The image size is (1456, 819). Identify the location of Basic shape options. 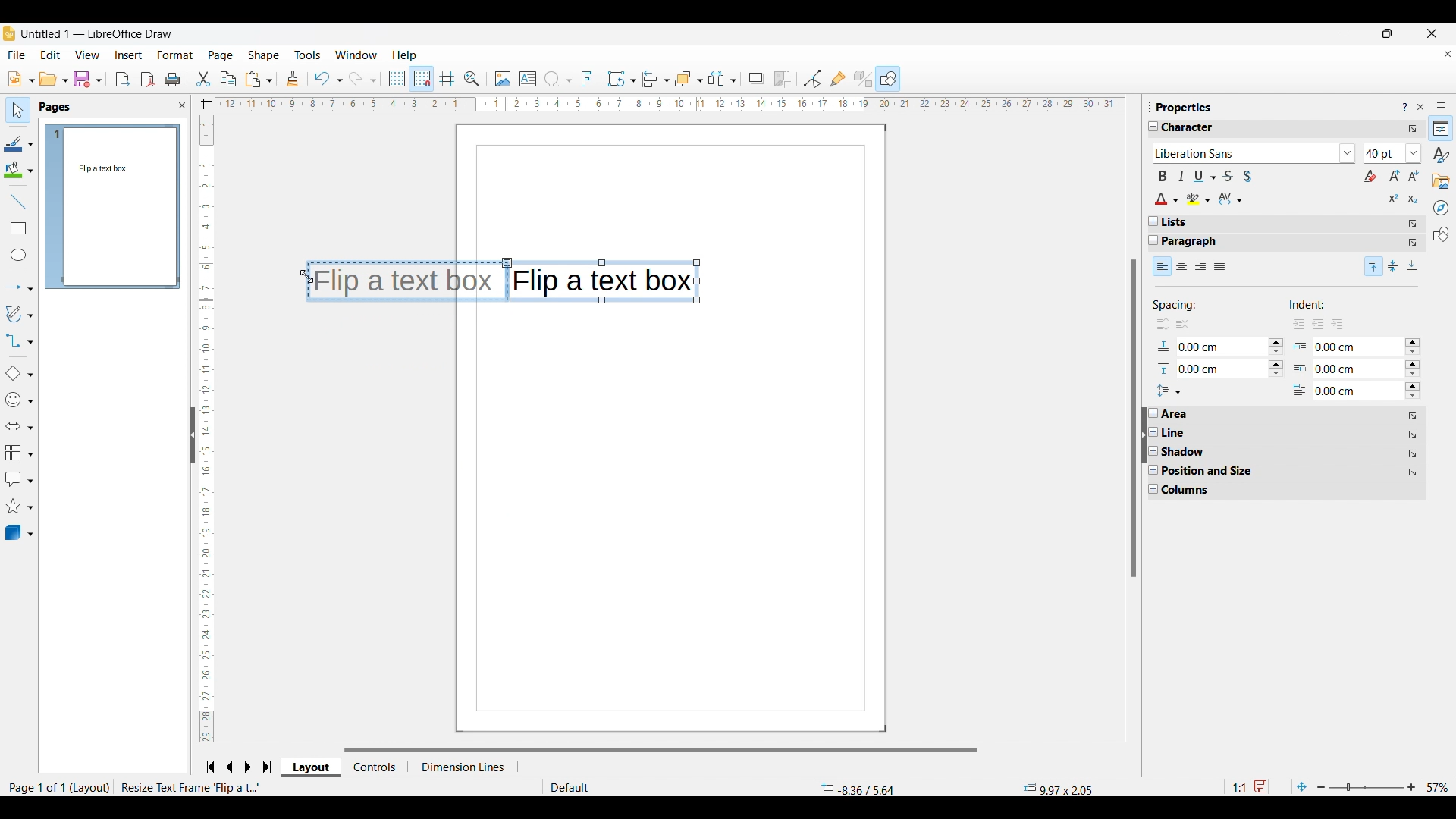
(19, 373).